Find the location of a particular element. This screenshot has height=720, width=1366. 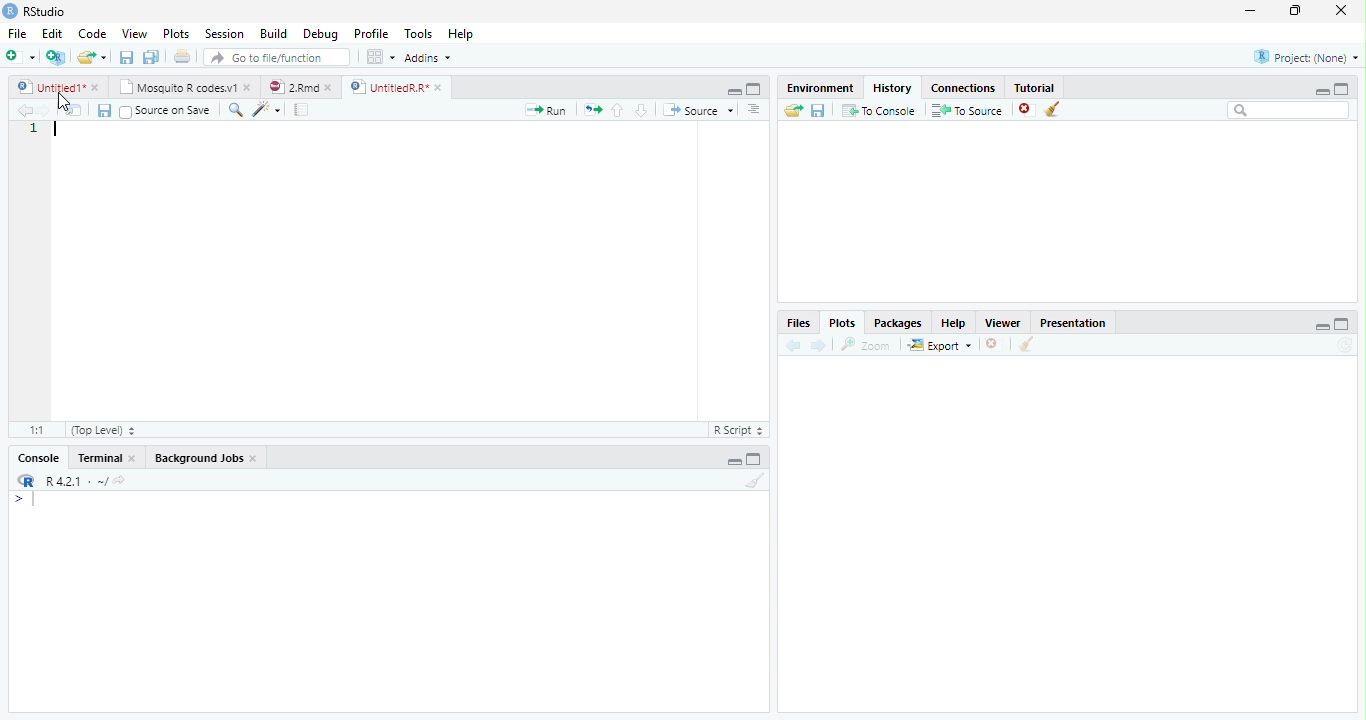

minimize is located at coordinates (1251, 10).